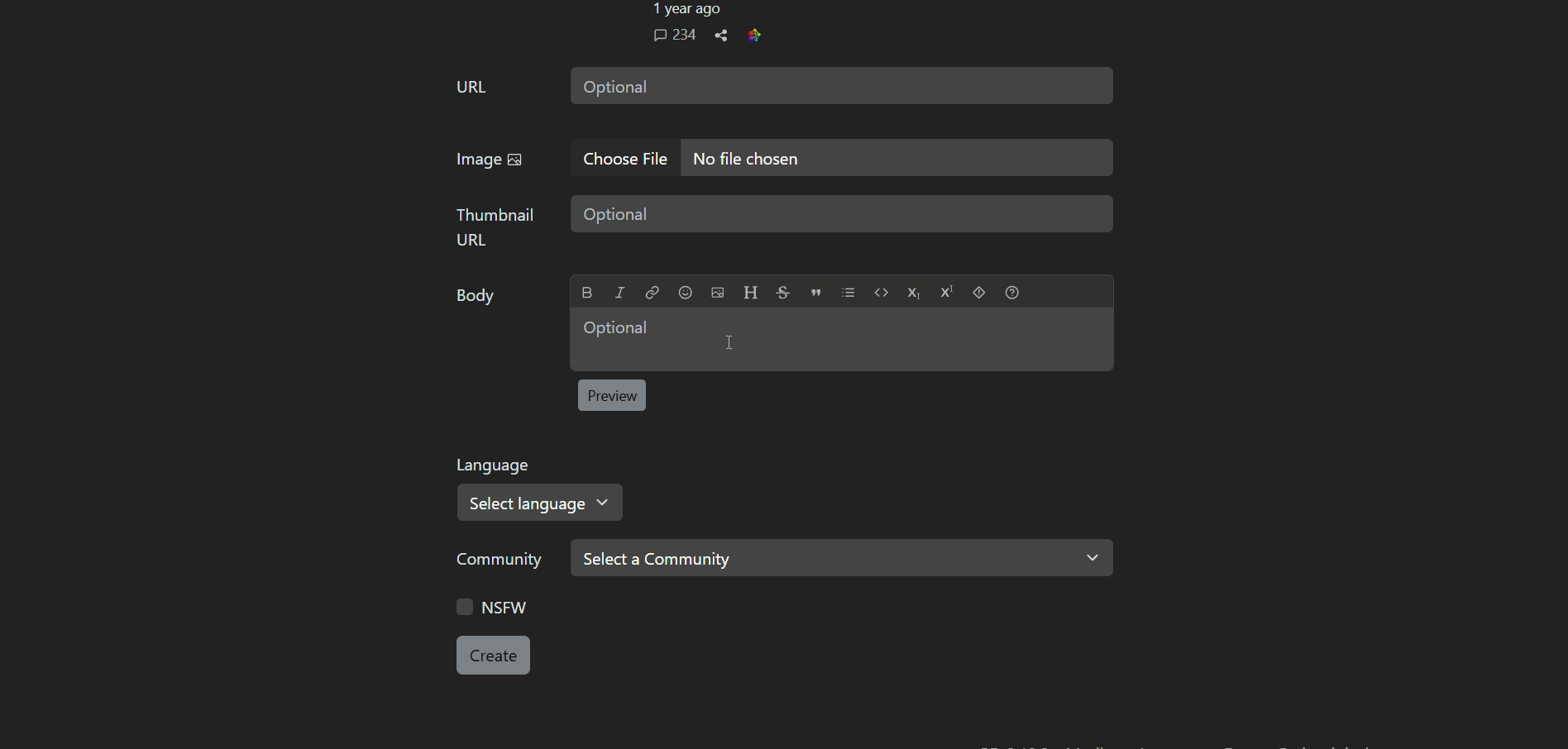  I want to click on text box, so click(844, 213).